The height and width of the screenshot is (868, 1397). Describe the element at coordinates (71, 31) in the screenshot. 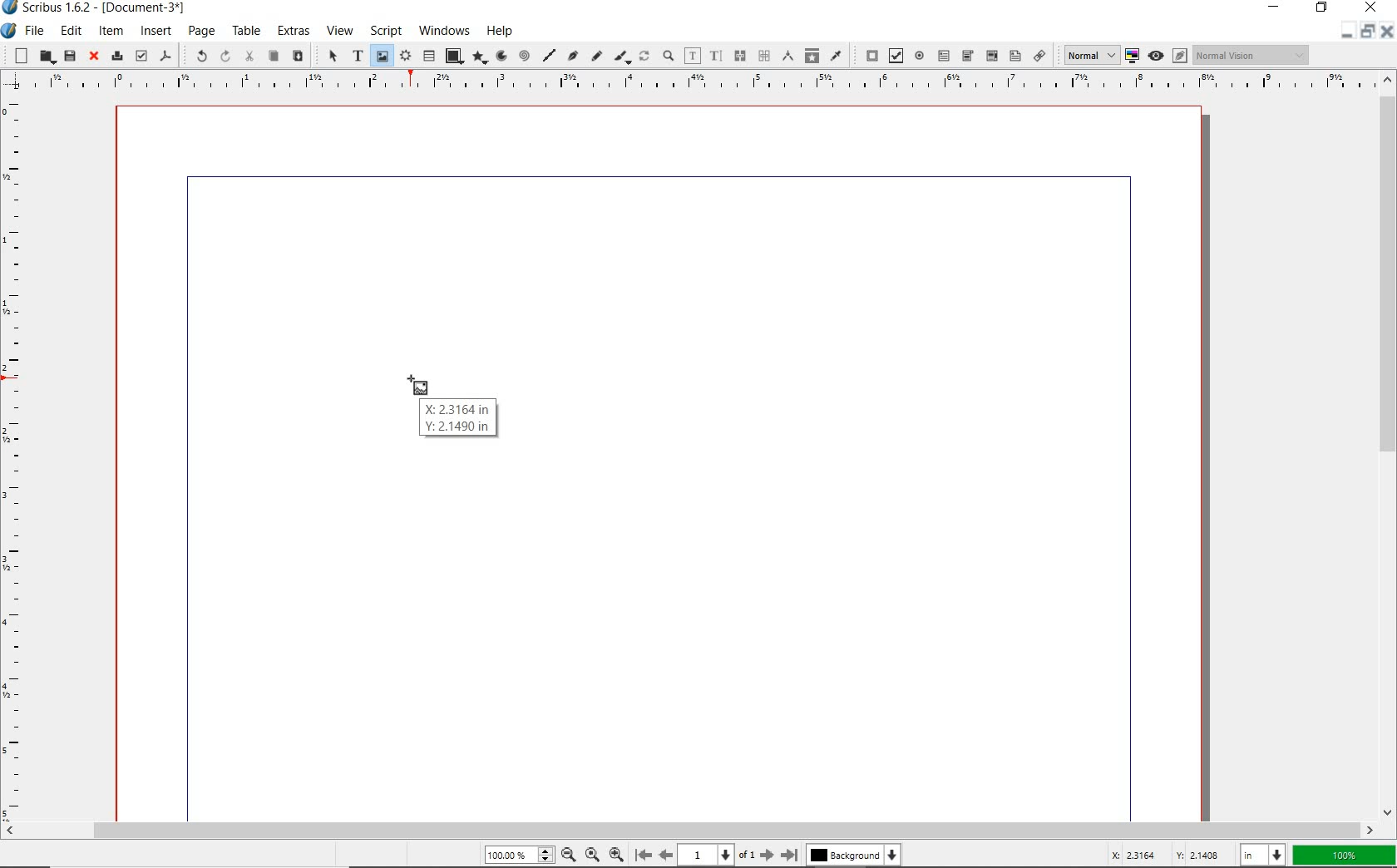

I see `EDIT` at that location.